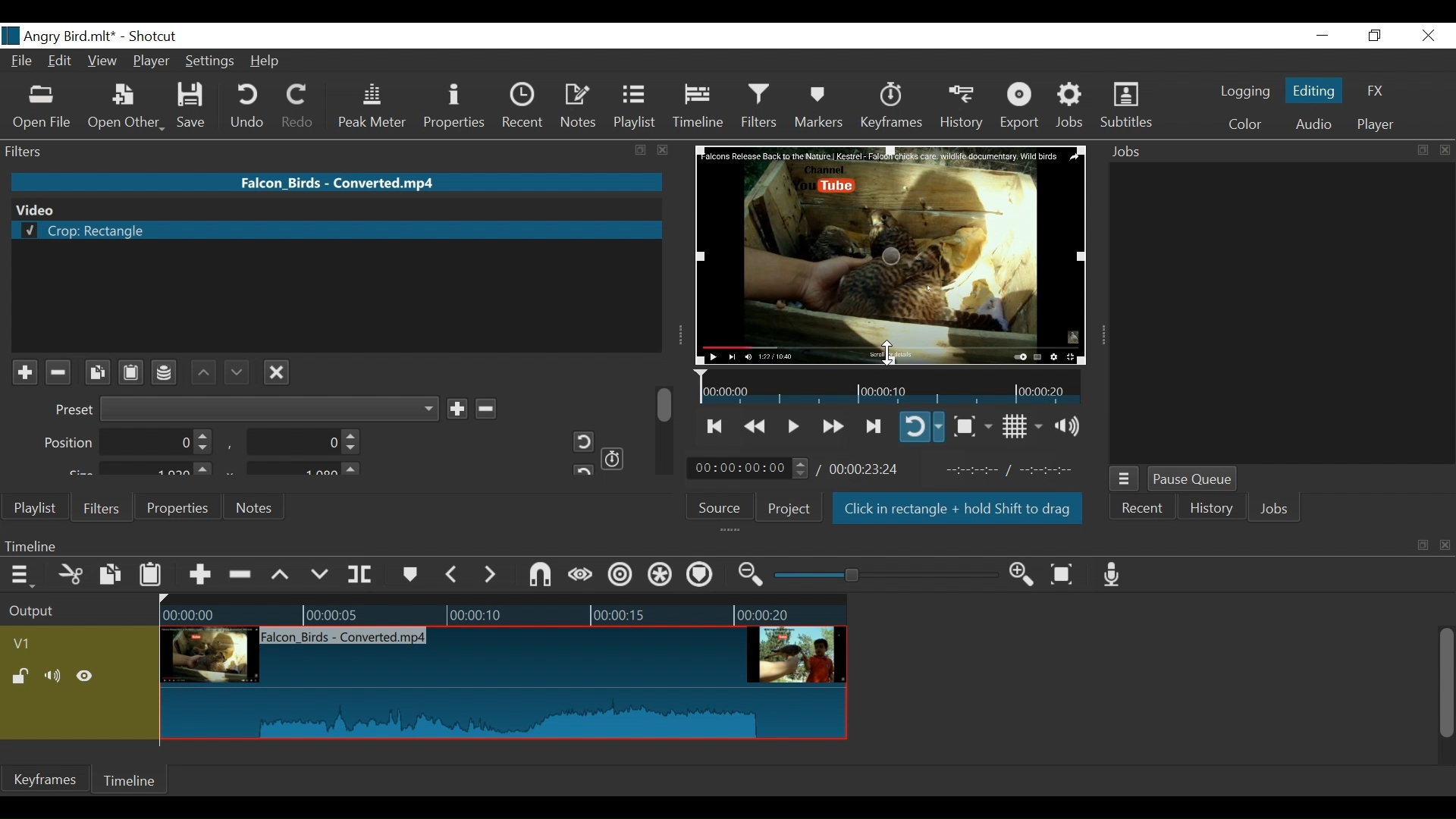 This screenshot has width=1456, height=819. Describe the element at coordinates (581, 469) in the screenshot. I see `restart` at that location.